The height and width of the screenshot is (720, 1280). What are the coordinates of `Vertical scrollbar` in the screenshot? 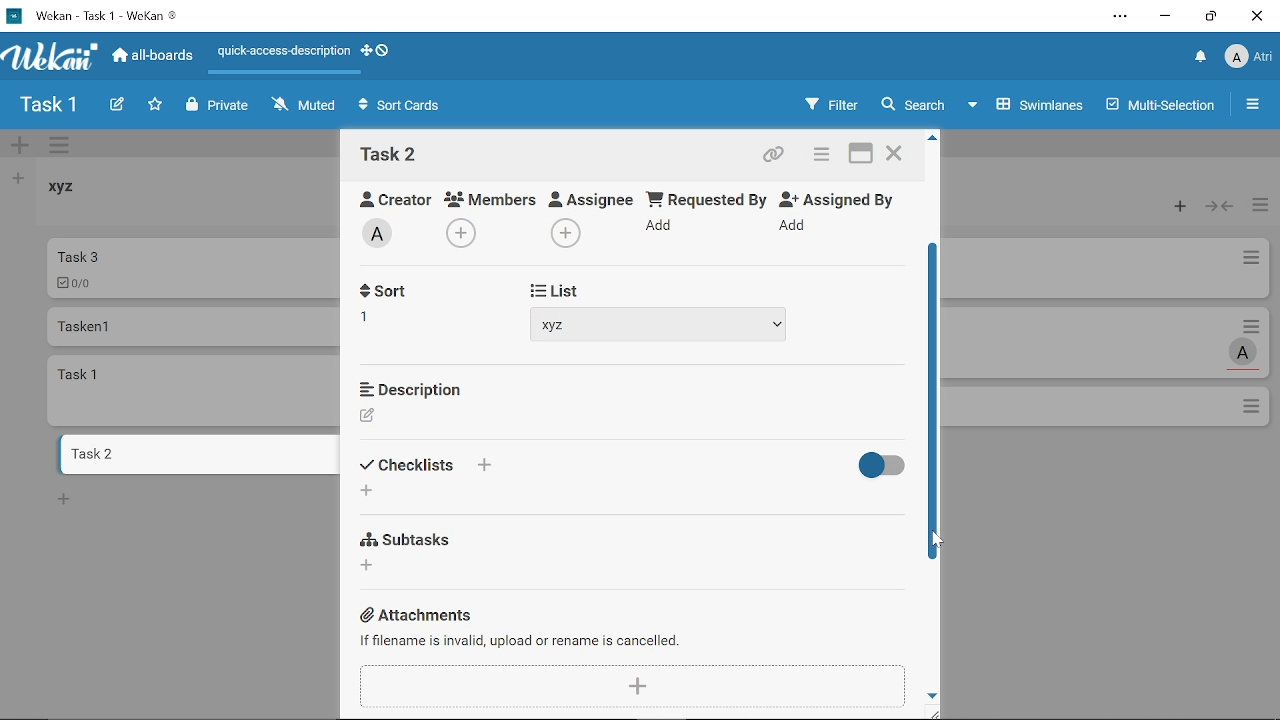 It's located at (935, 400).